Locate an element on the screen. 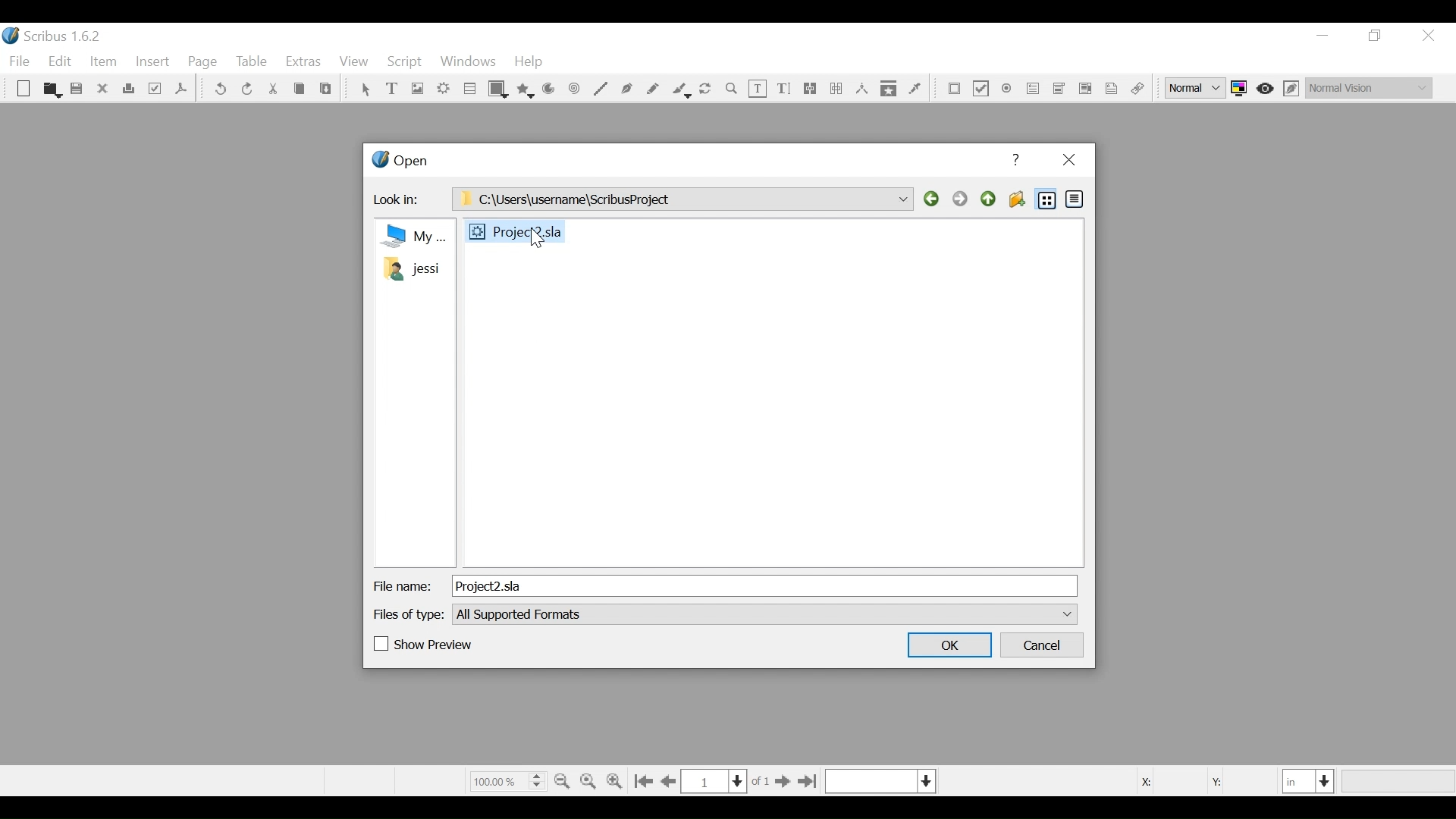 This screenshot has height=819, width=1456. Spiral  is located at coordinates (573, 90).